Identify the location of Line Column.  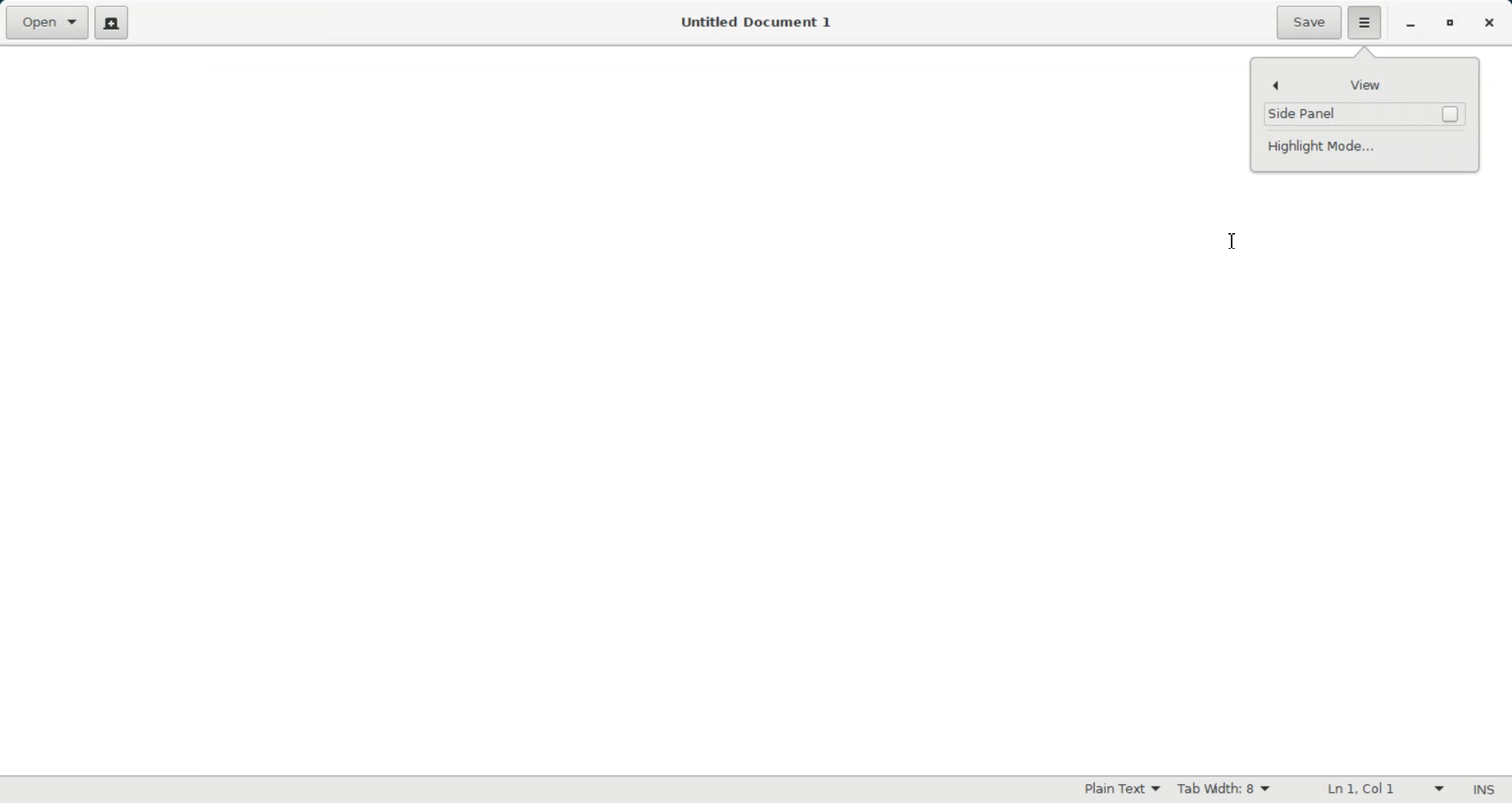
(1375, 788).